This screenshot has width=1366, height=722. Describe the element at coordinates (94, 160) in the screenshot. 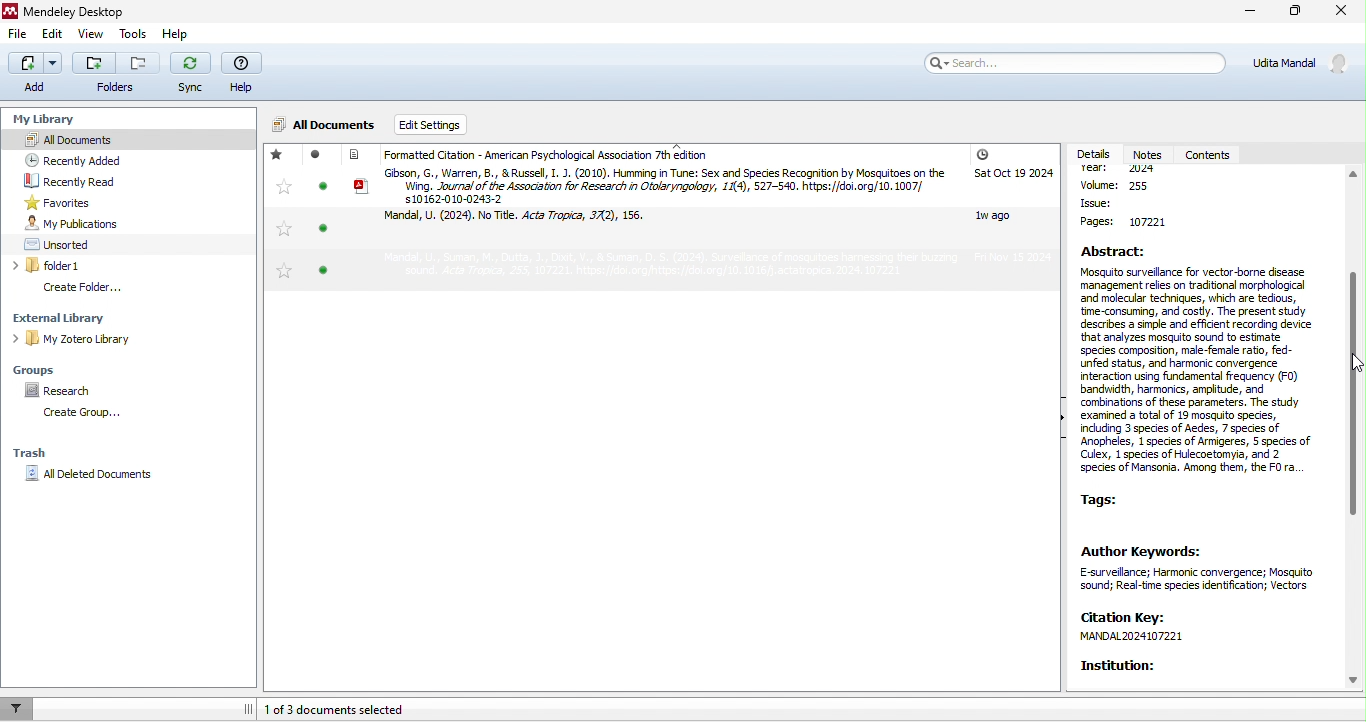

I see `recently added` at that location.